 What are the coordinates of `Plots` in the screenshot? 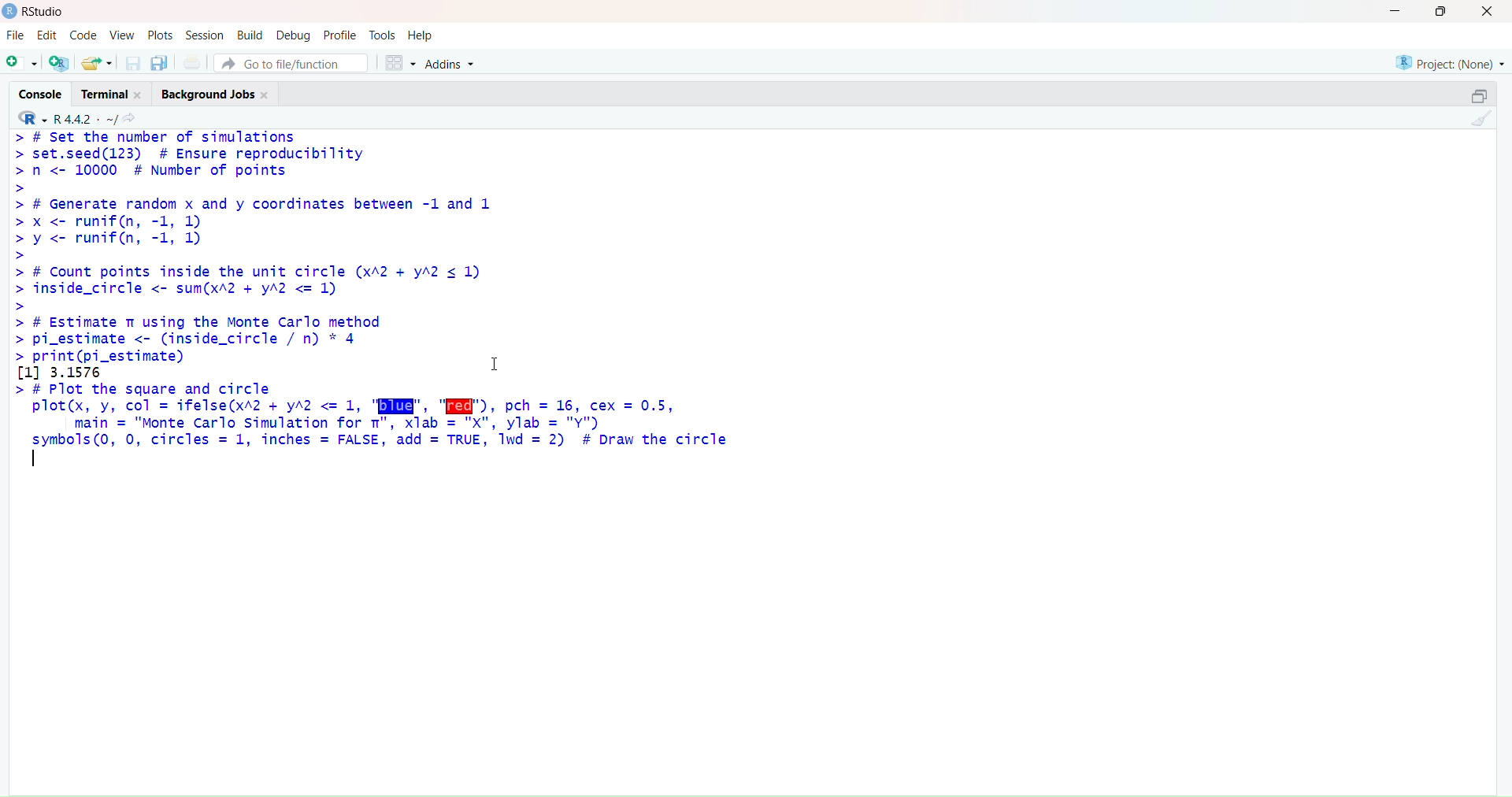 It's located at (161, 34).